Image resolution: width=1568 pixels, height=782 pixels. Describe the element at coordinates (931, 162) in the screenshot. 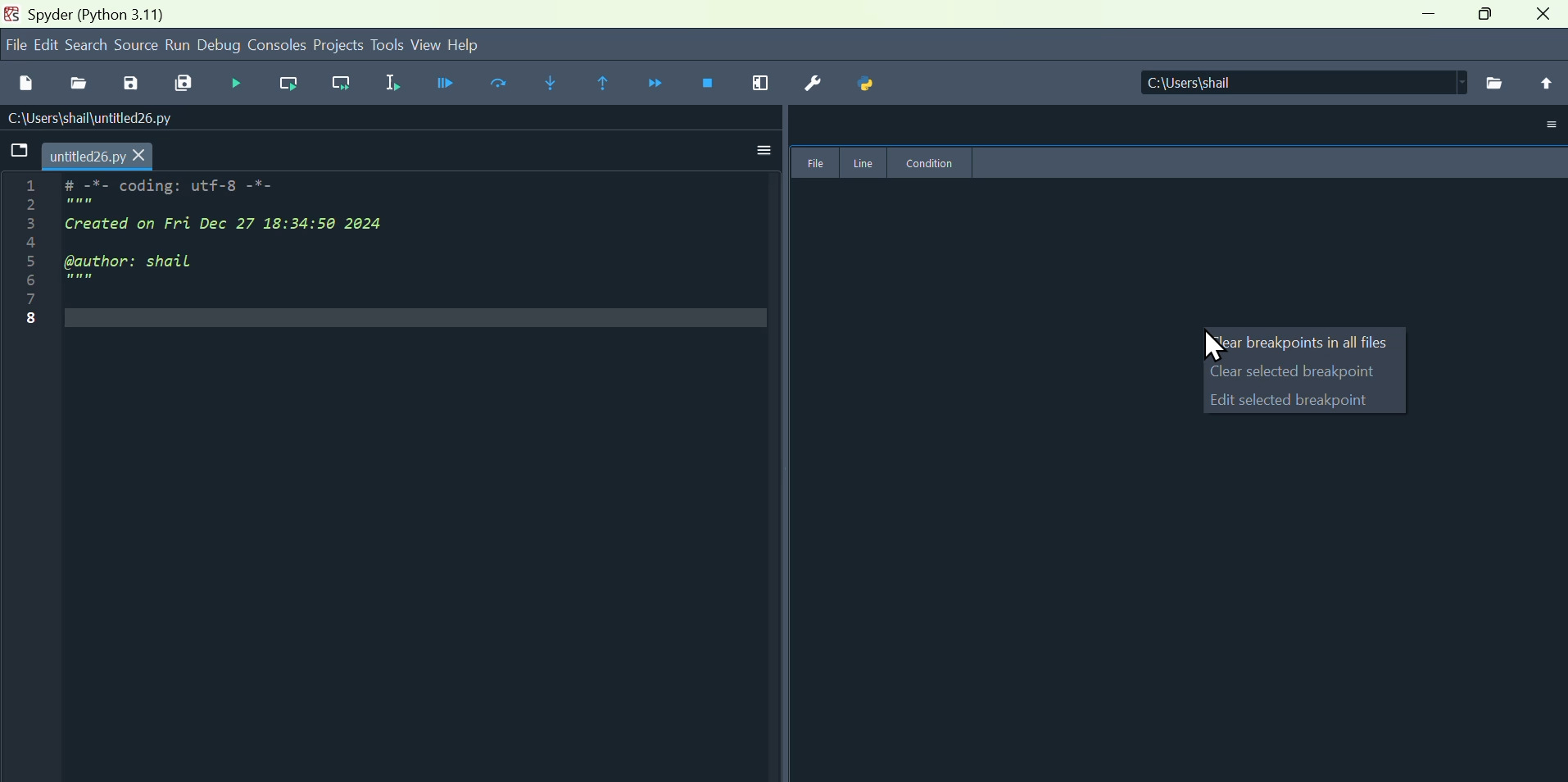

I see `Condition` at that location.